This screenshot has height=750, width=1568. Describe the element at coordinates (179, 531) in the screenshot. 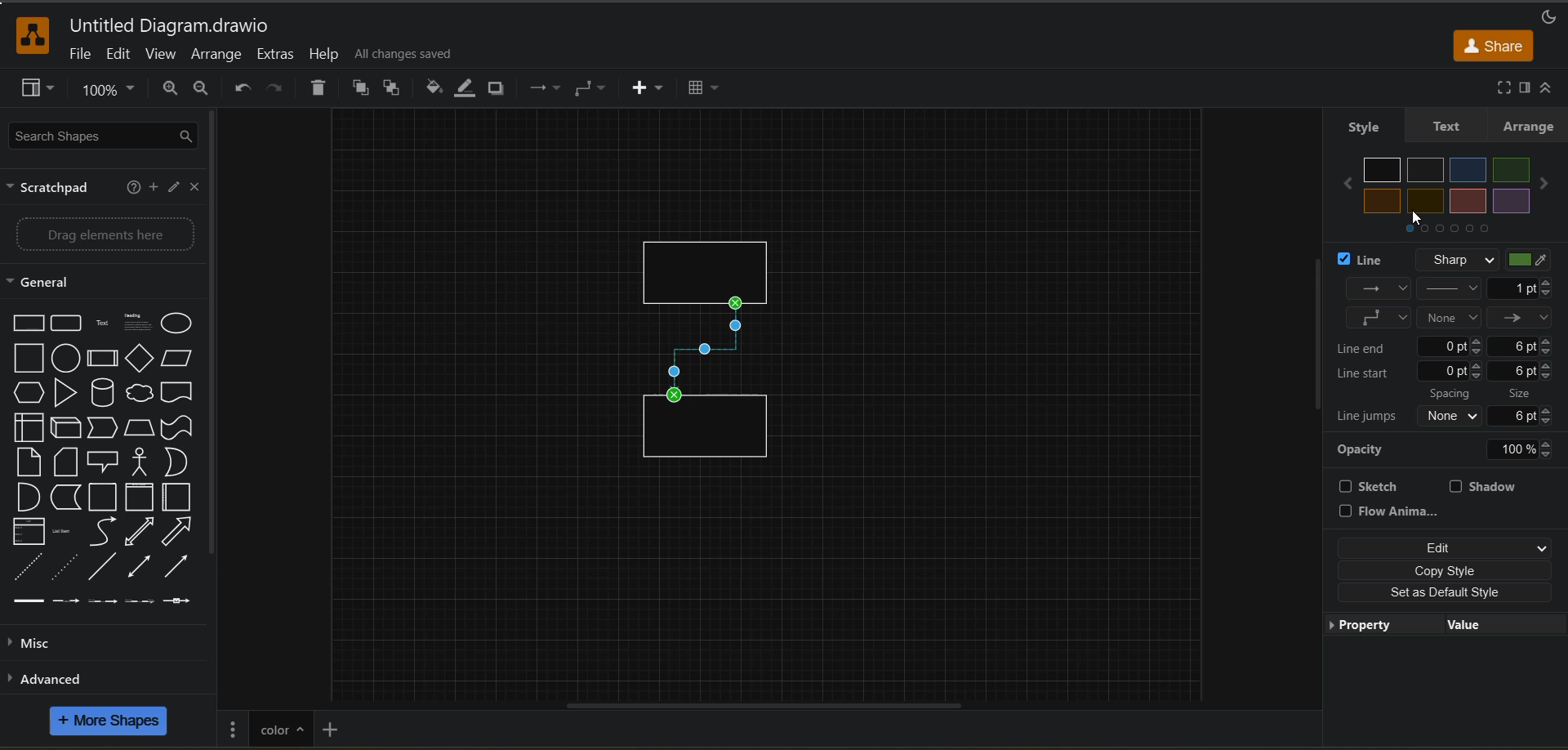

I see `Arrow` at that location.